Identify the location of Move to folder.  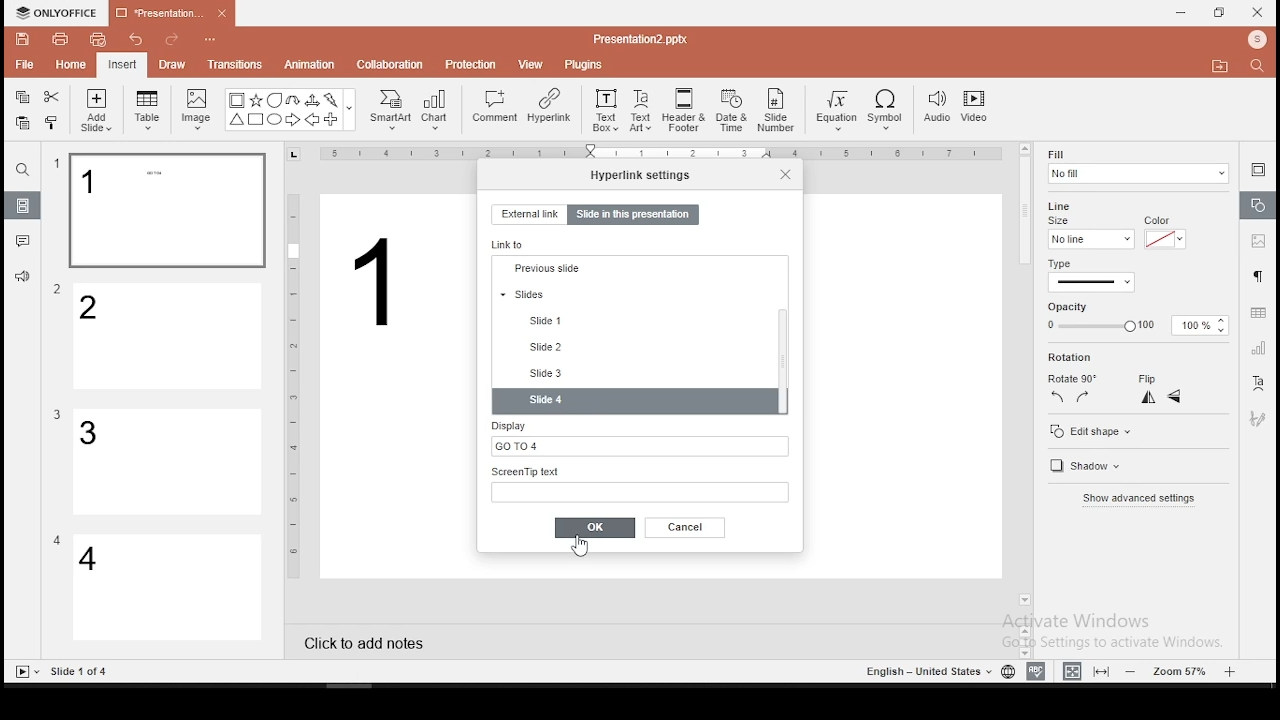
(1223, 68).